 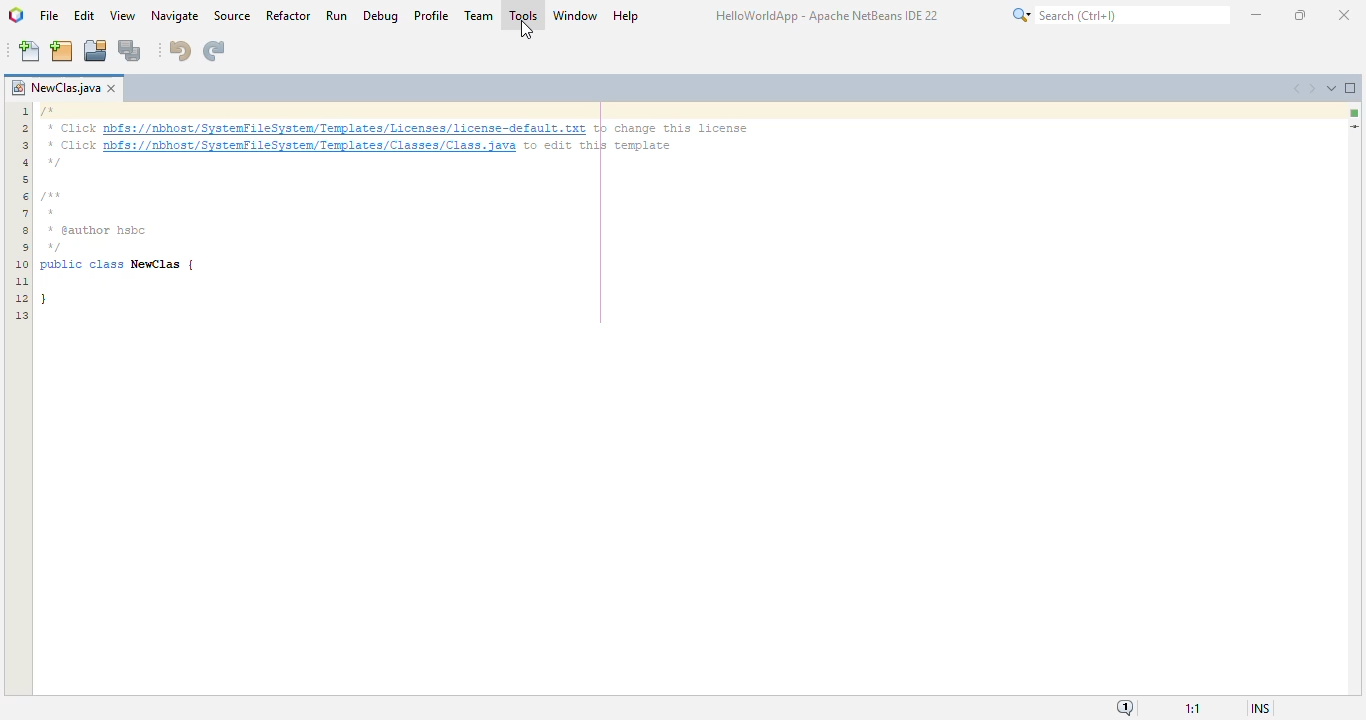 What do you see at coordinates (1356, 114) in the screenshot?
I see `no errors` at bounding box center [1356, 114].